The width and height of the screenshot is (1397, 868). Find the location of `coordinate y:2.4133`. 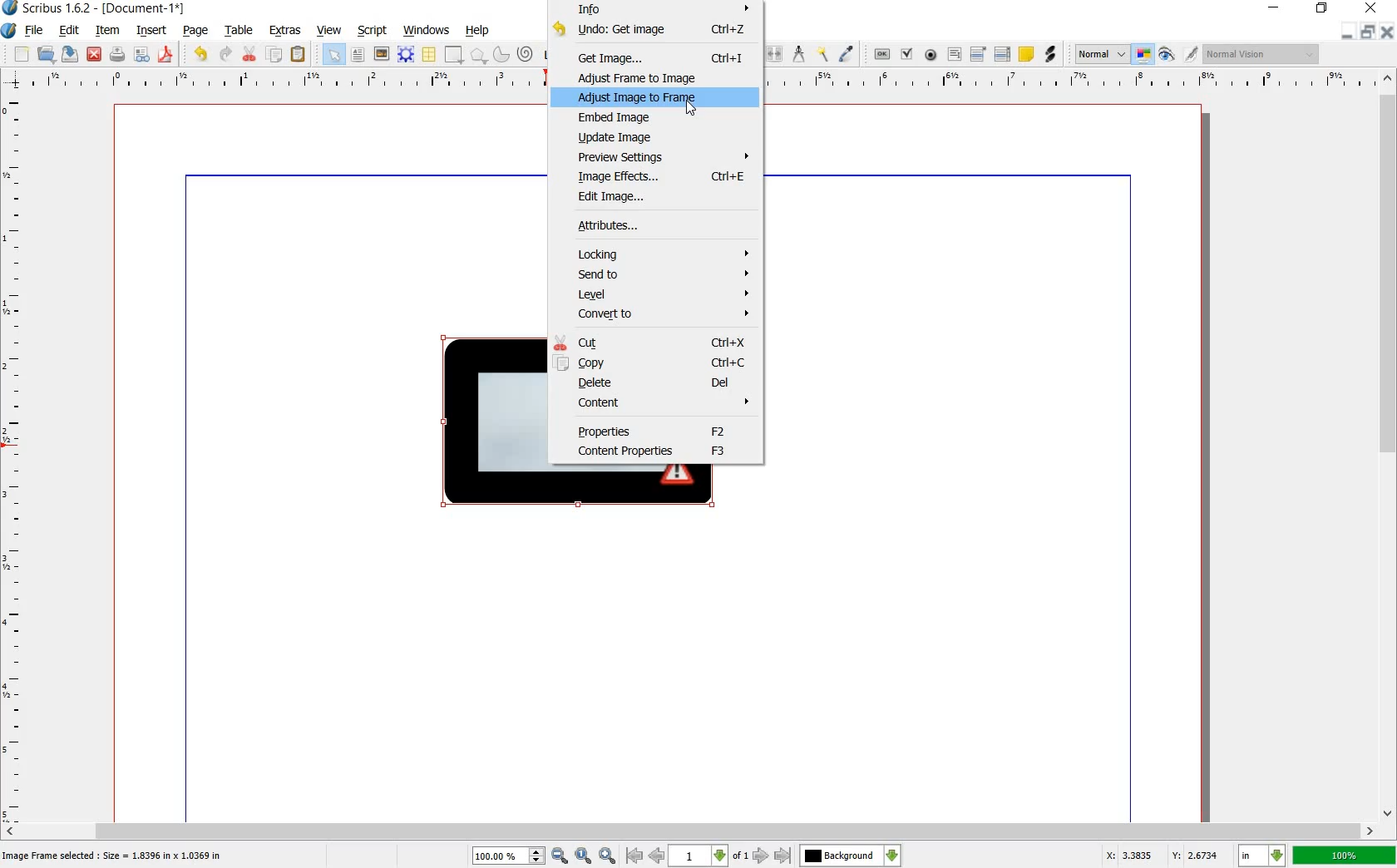

coordinate y:2.4133 is located at coordinates (1199, 854).